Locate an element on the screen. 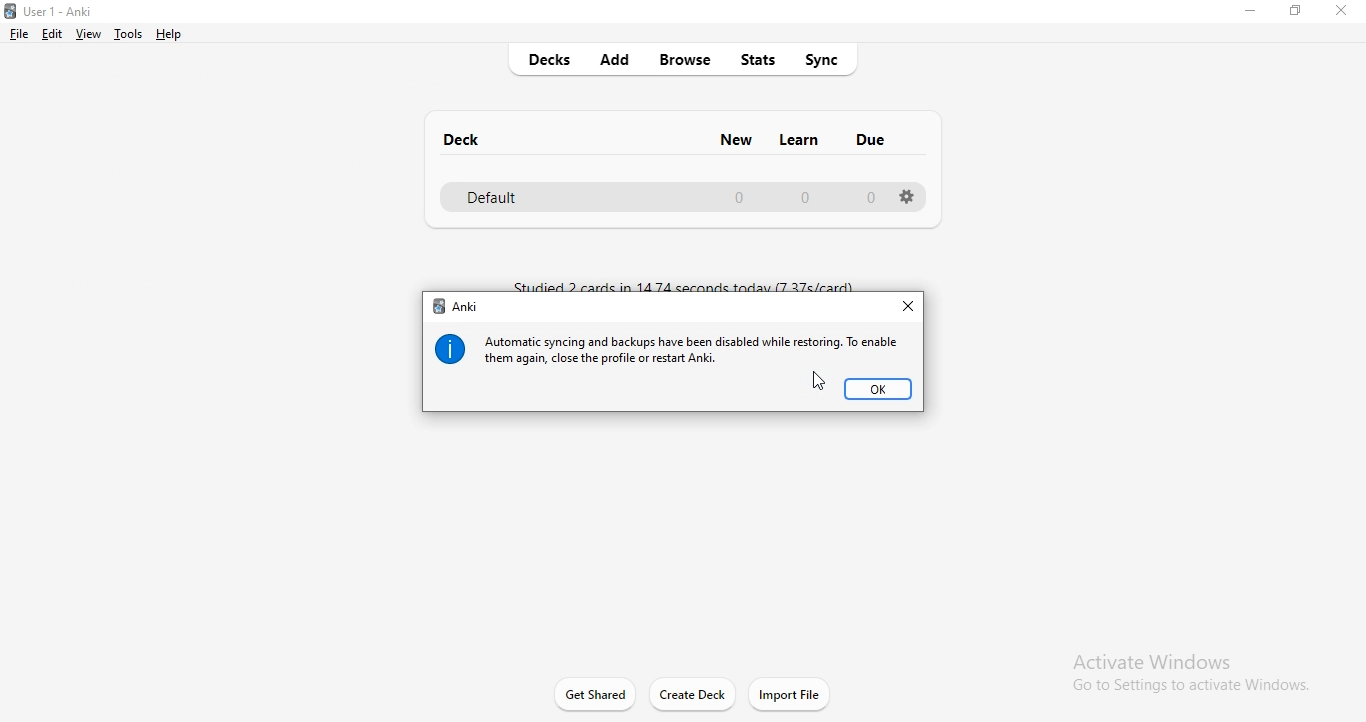 This screenshot has width=1366, height=722. ok is located at coordinates (874, 389).